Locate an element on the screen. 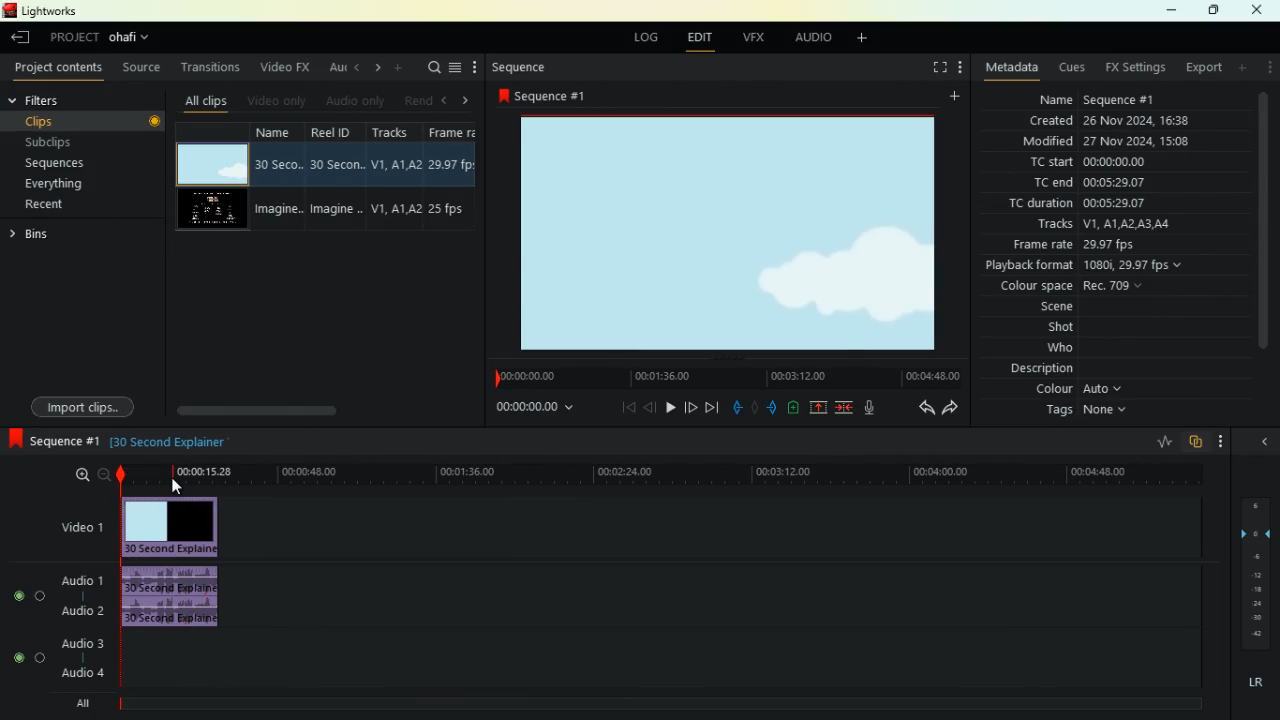 The height and width of the screenshot is (720, 1280). 00:00:00.00 is located at coordinates (1114, 161).